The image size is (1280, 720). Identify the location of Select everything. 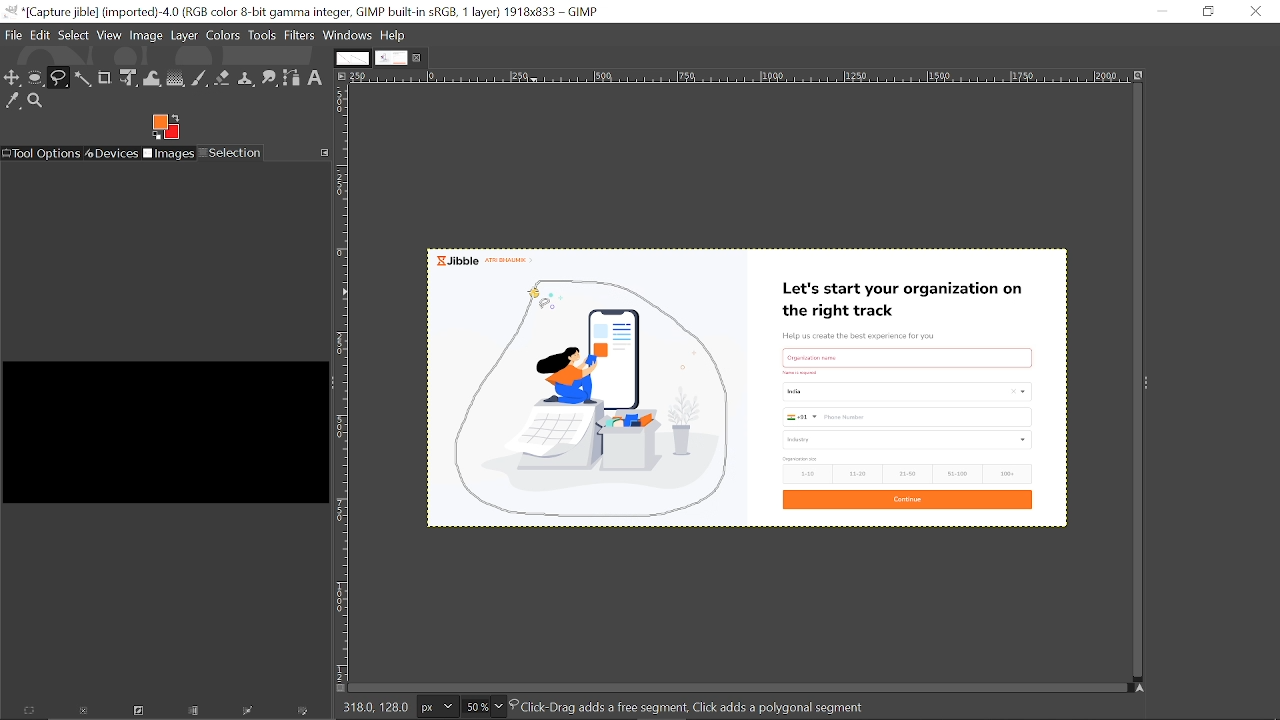
(30, 712).